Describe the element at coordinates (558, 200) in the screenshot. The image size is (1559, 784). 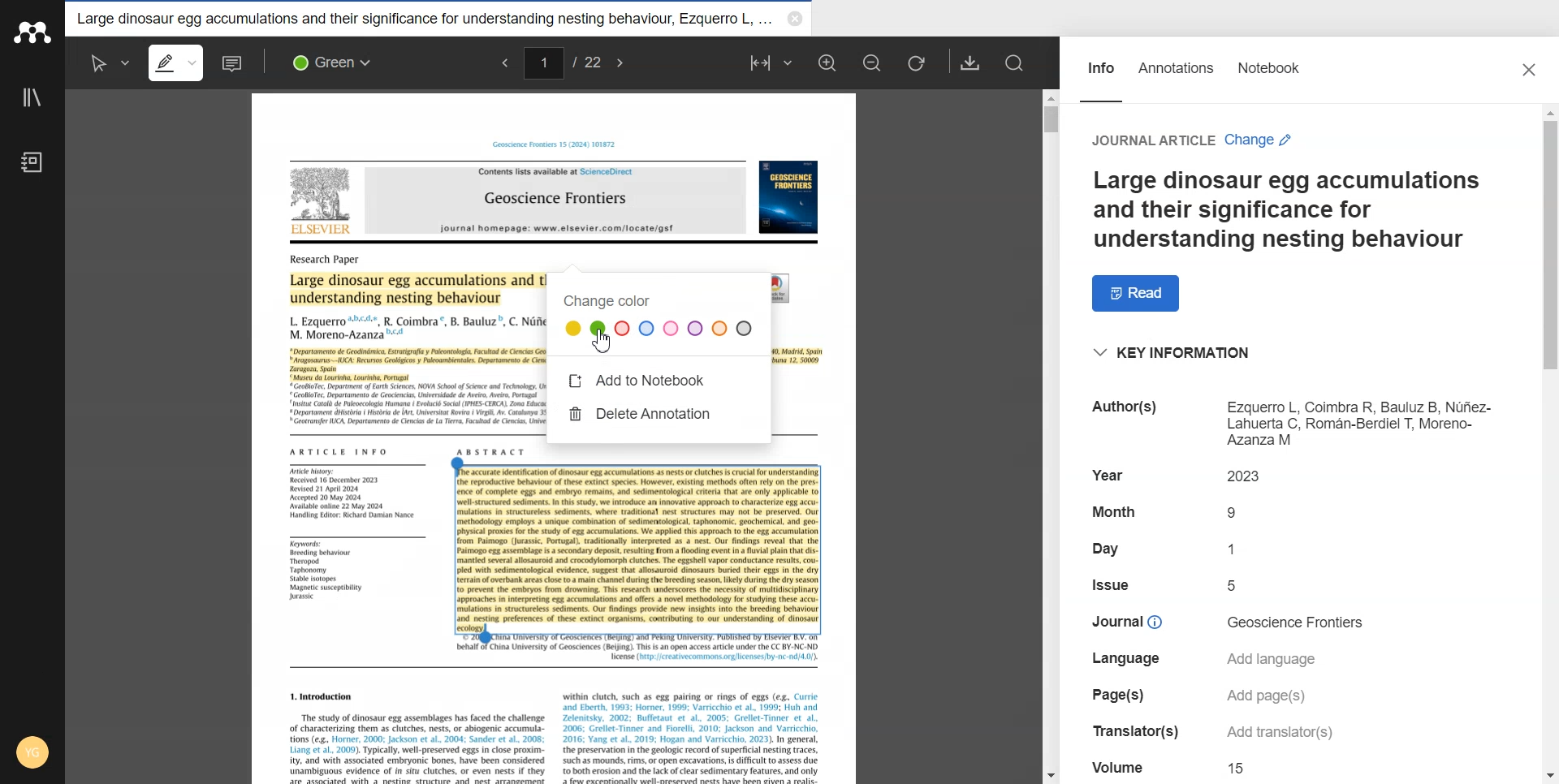
I see `text` at that location.